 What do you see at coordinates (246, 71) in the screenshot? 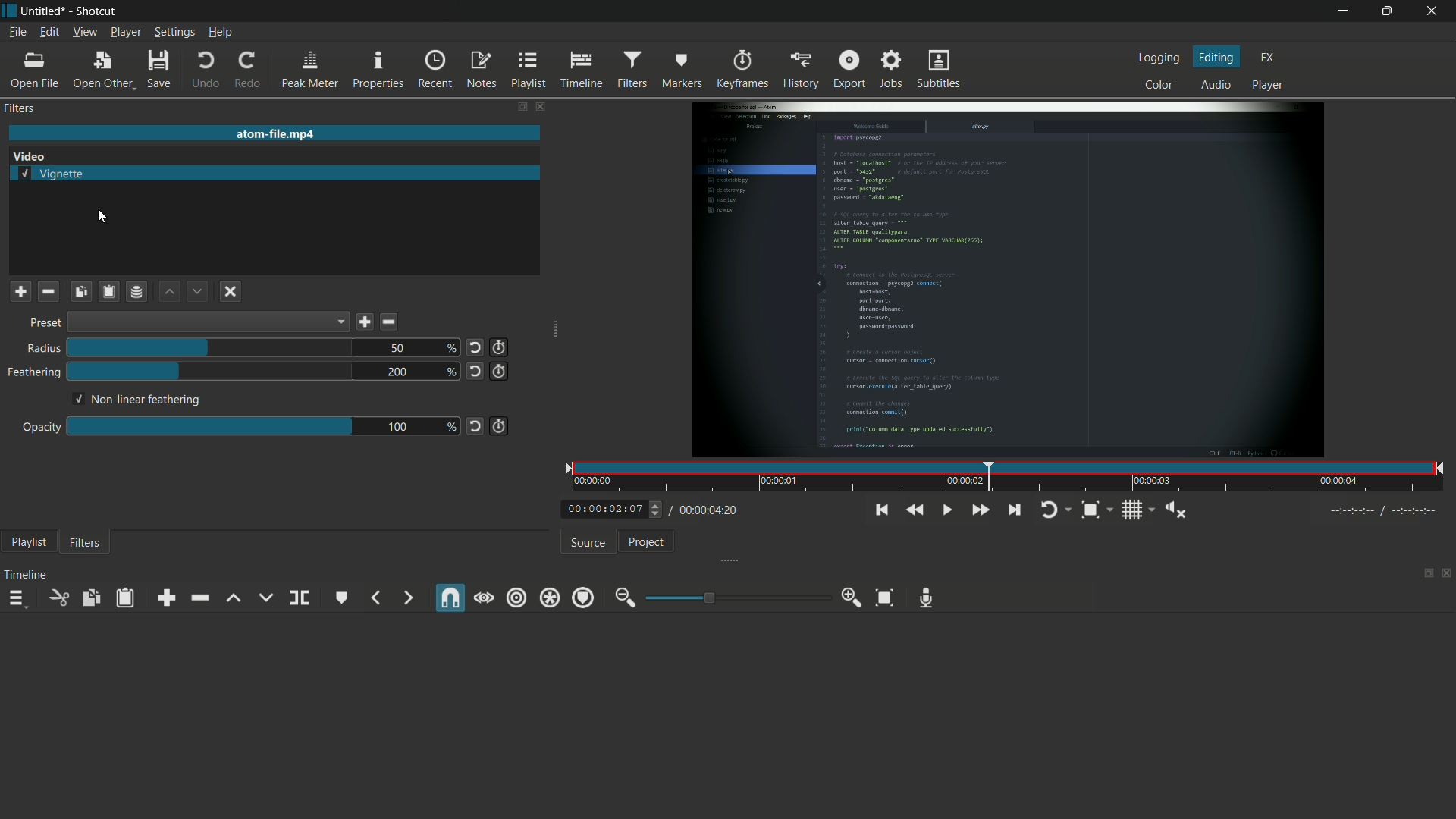
I see `redo` at bounding box center [246, 71].